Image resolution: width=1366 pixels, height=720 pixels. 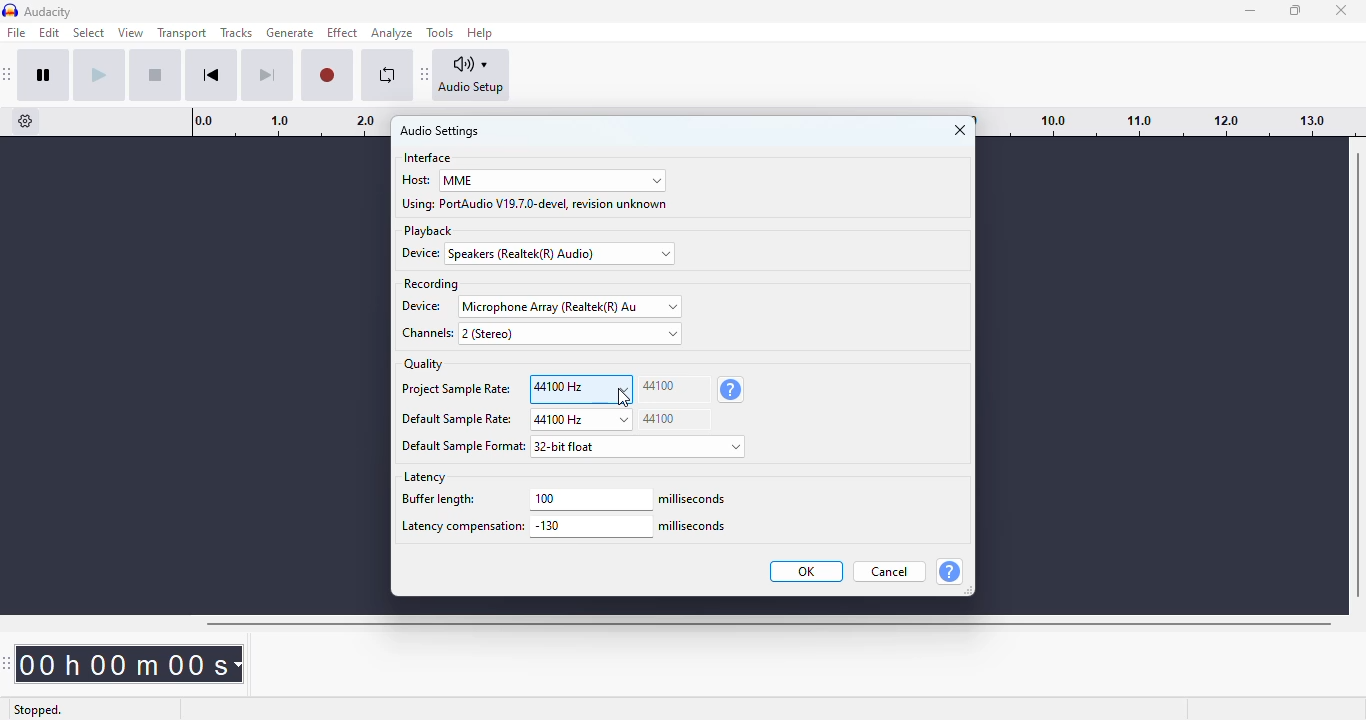 What do you see at coordinates (570, 333) in the screenshot?
I see `select channels` at bounding box center [570, 333].